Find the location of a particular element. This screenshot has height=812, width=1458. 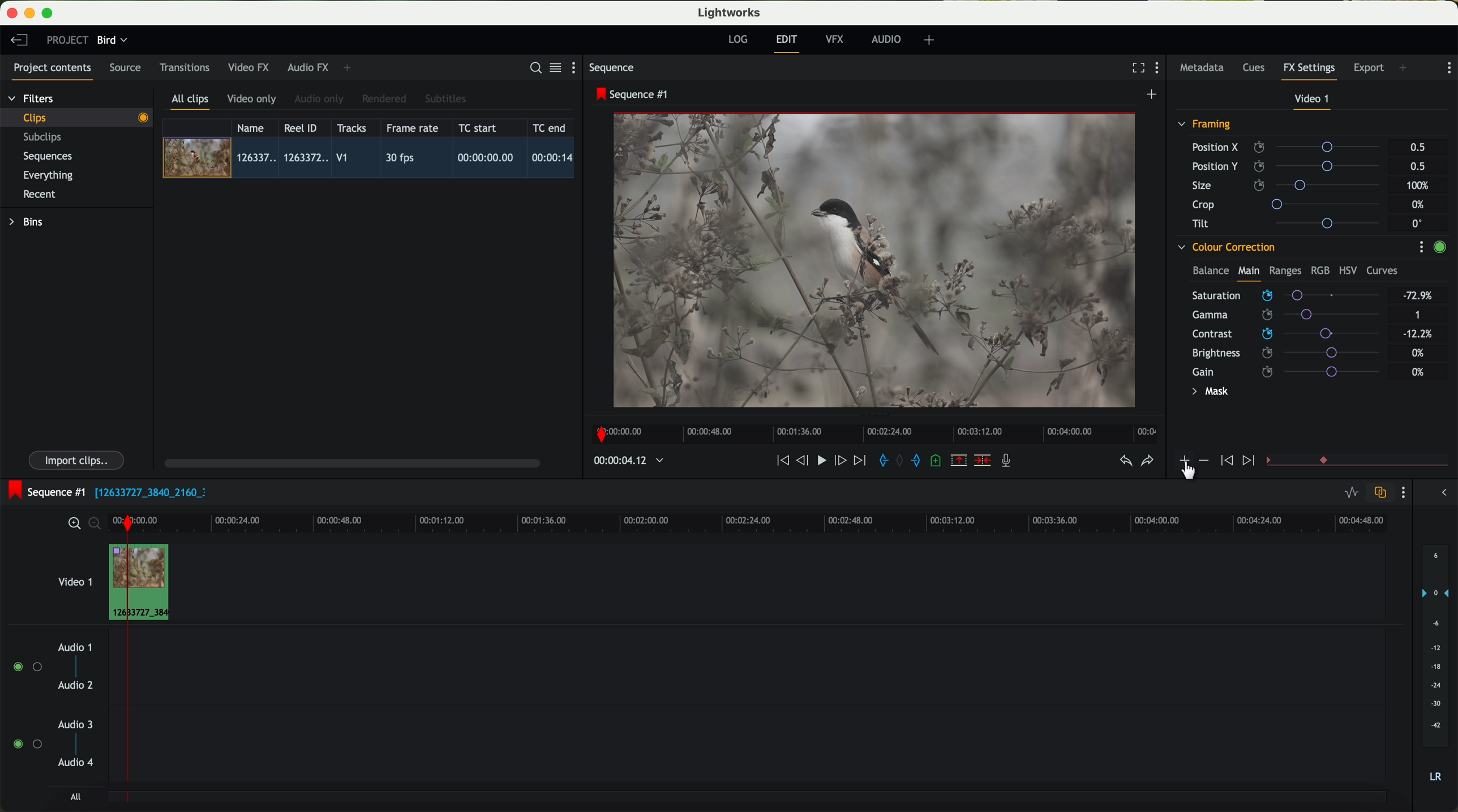

icon is located at coordinates (1203, 461).